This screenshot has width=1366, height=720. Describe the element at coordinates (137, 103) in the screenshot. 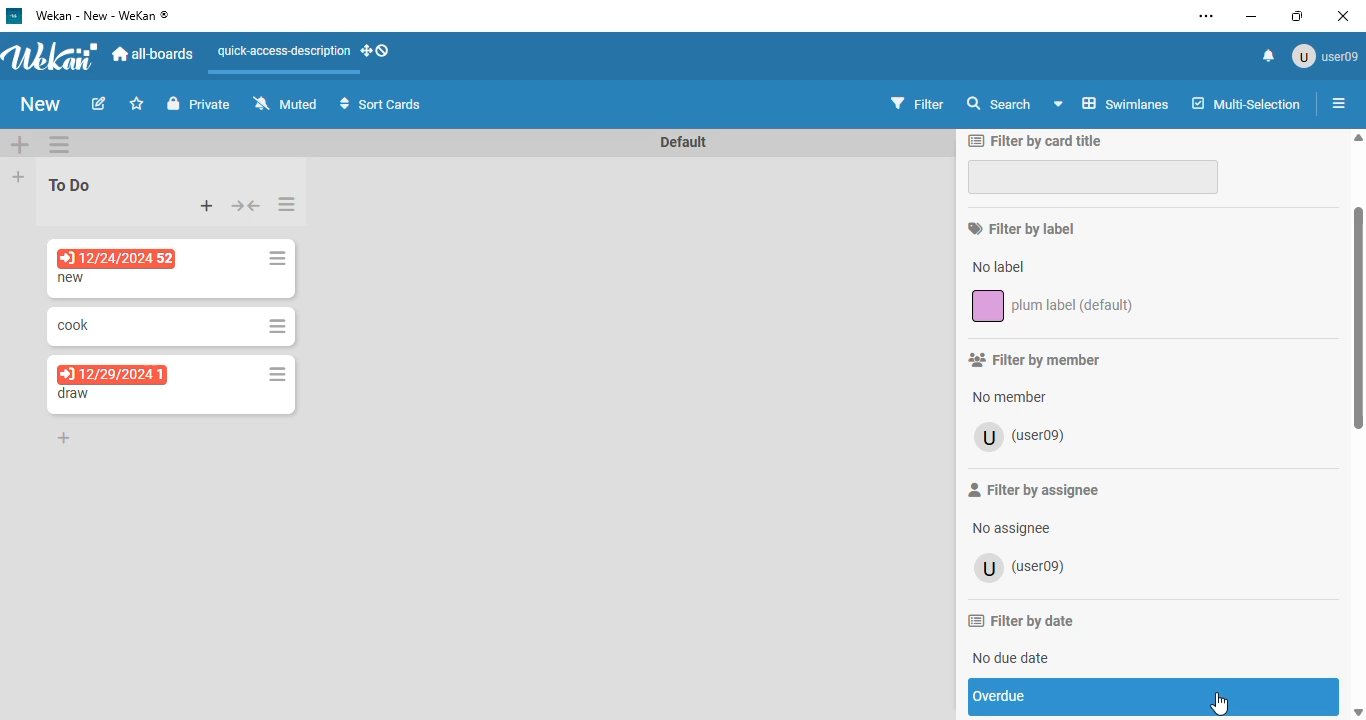

I see `click to star this board` at that location.